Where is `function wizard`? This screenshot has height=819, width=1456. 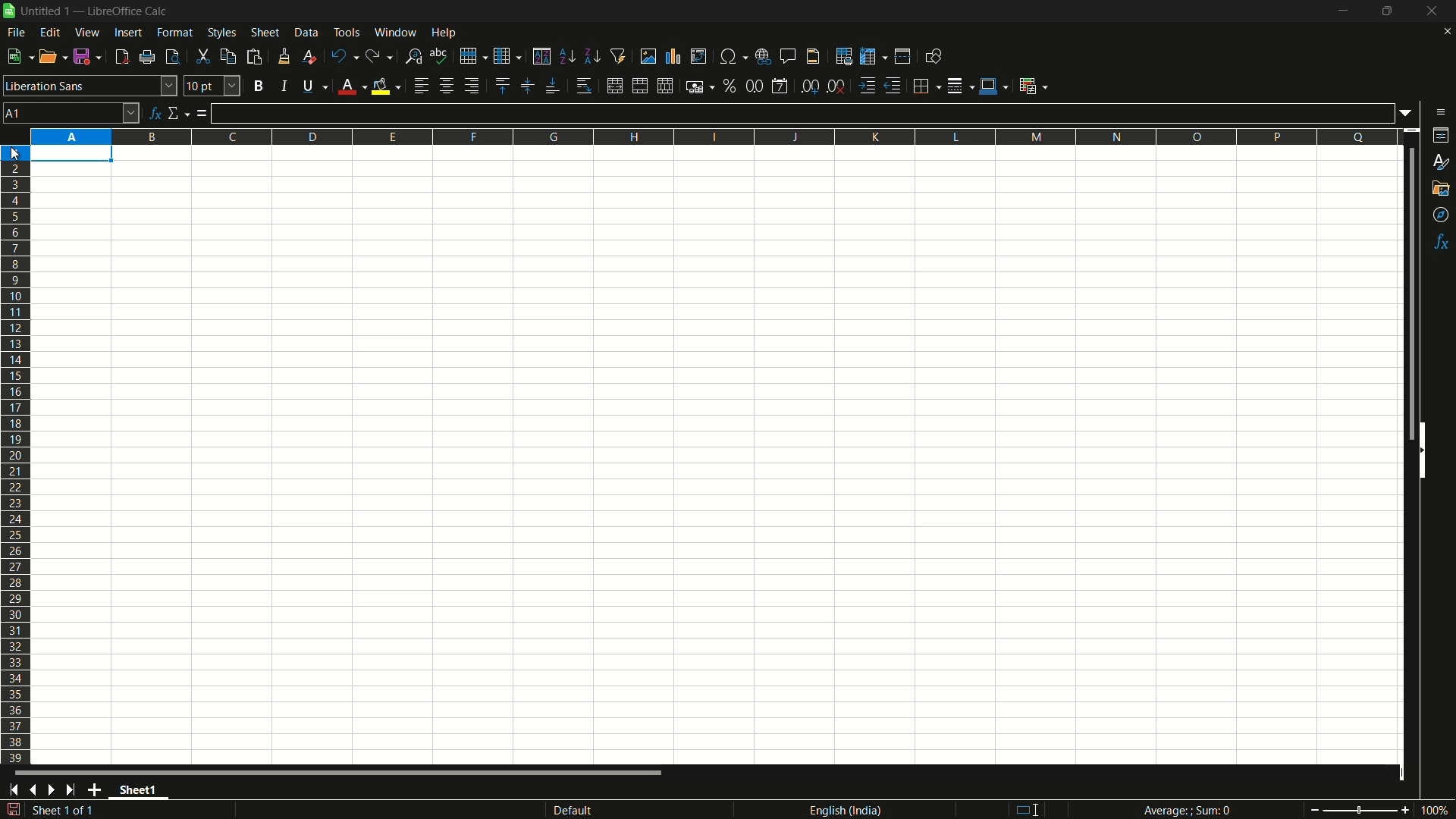 function wizard is located at coordinates (155, 113).